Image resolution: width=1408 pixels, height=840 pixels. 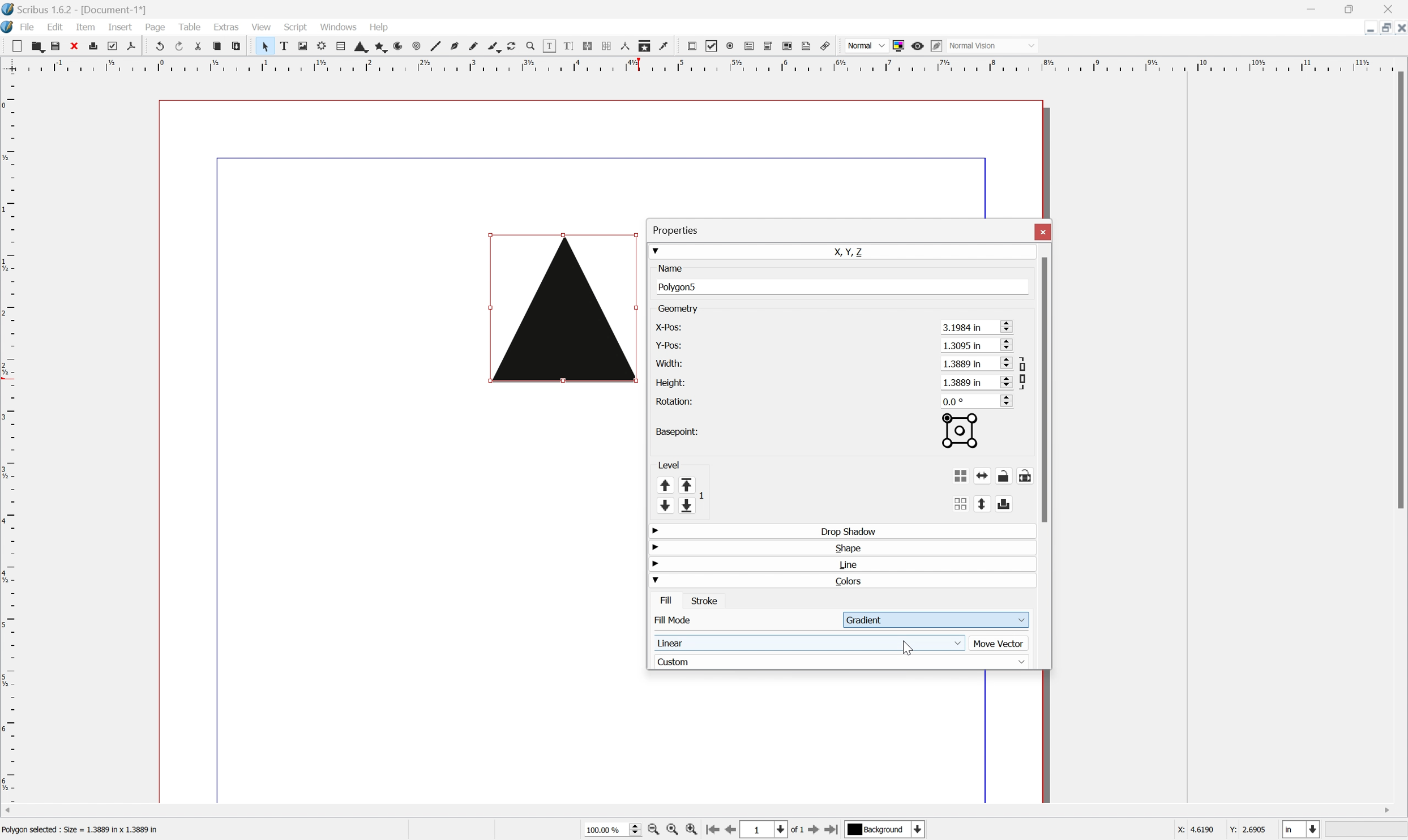 I want to click on 1.3889 in, so click(x=977, y=382).